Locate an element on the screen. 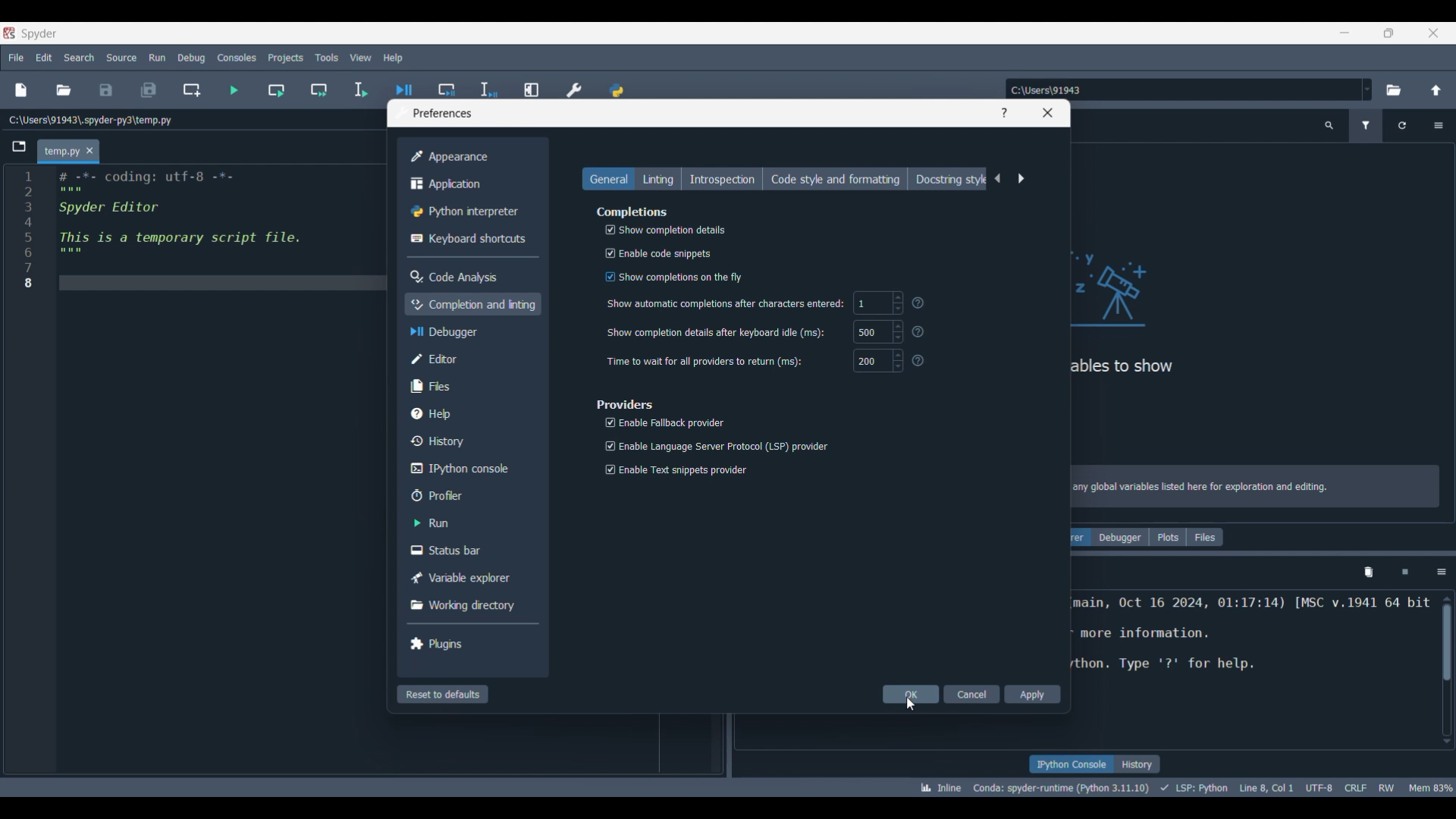 This screenshot has width=1456, height=819. Appearance is located at coordinates (469, 157).